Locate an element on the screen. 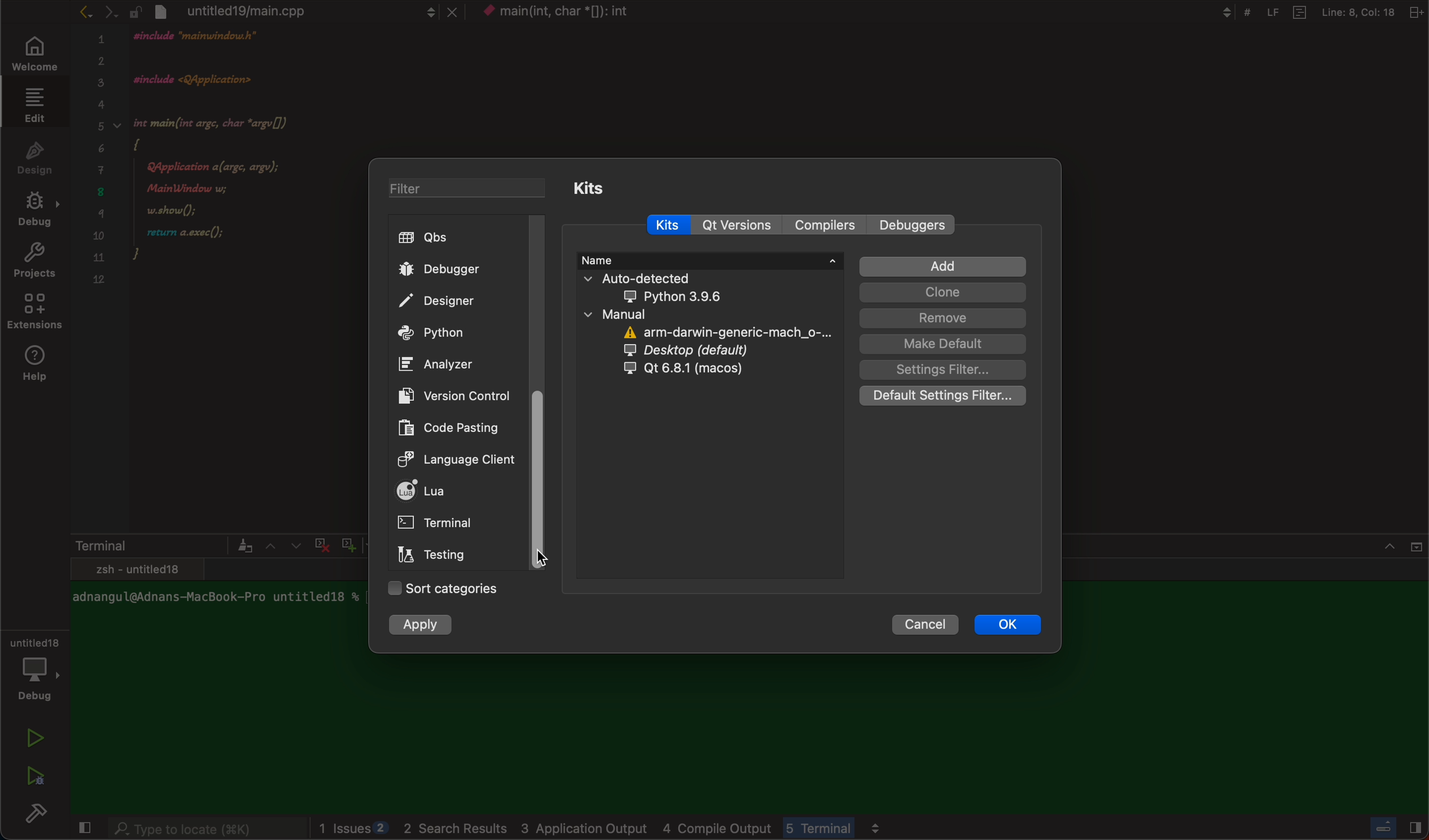 The height and width of the screenshot is (840, 1429). cancel is located at coordinates (928, 625).